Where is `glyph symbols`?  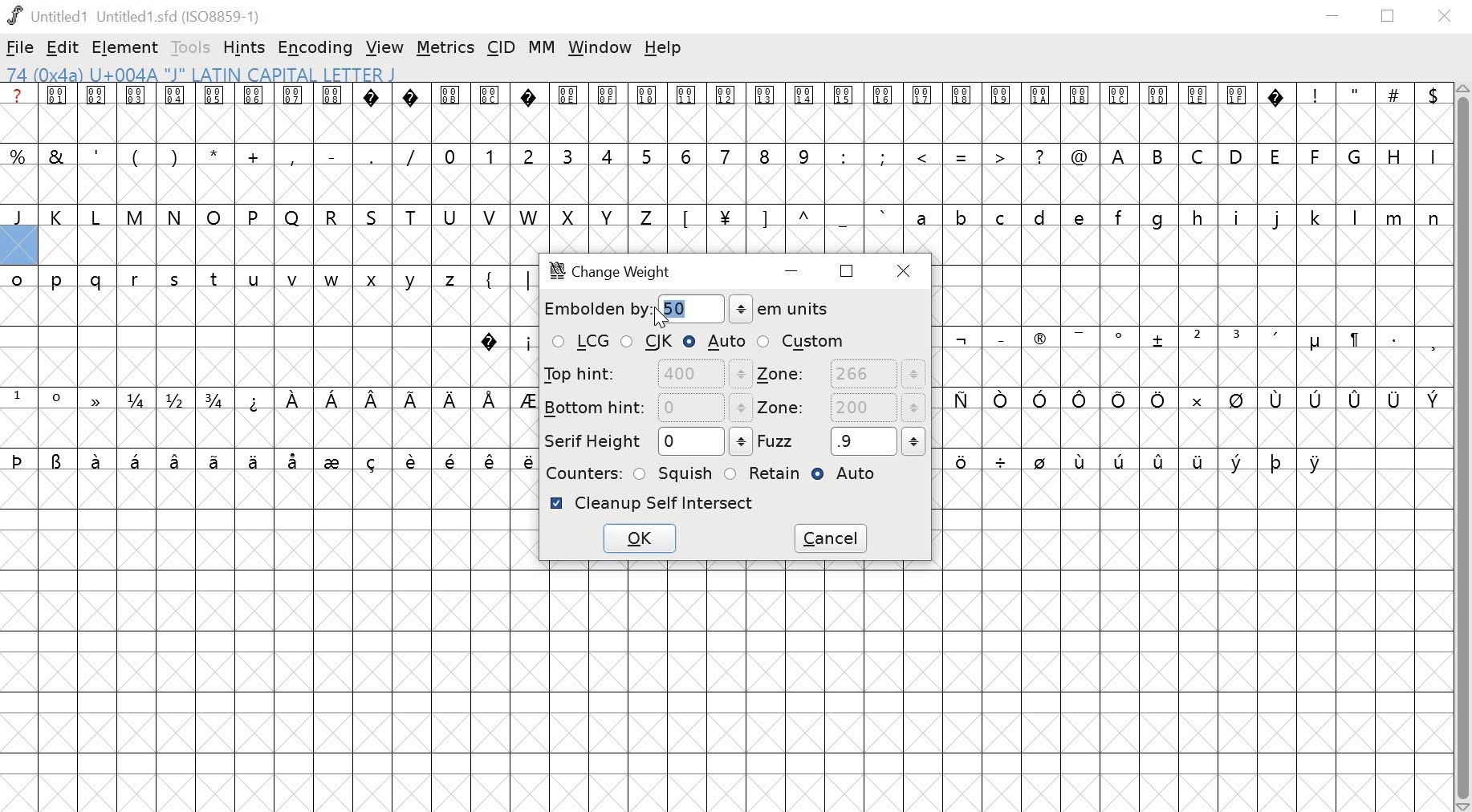 glyph symbols is located at coordinates (644, 95).